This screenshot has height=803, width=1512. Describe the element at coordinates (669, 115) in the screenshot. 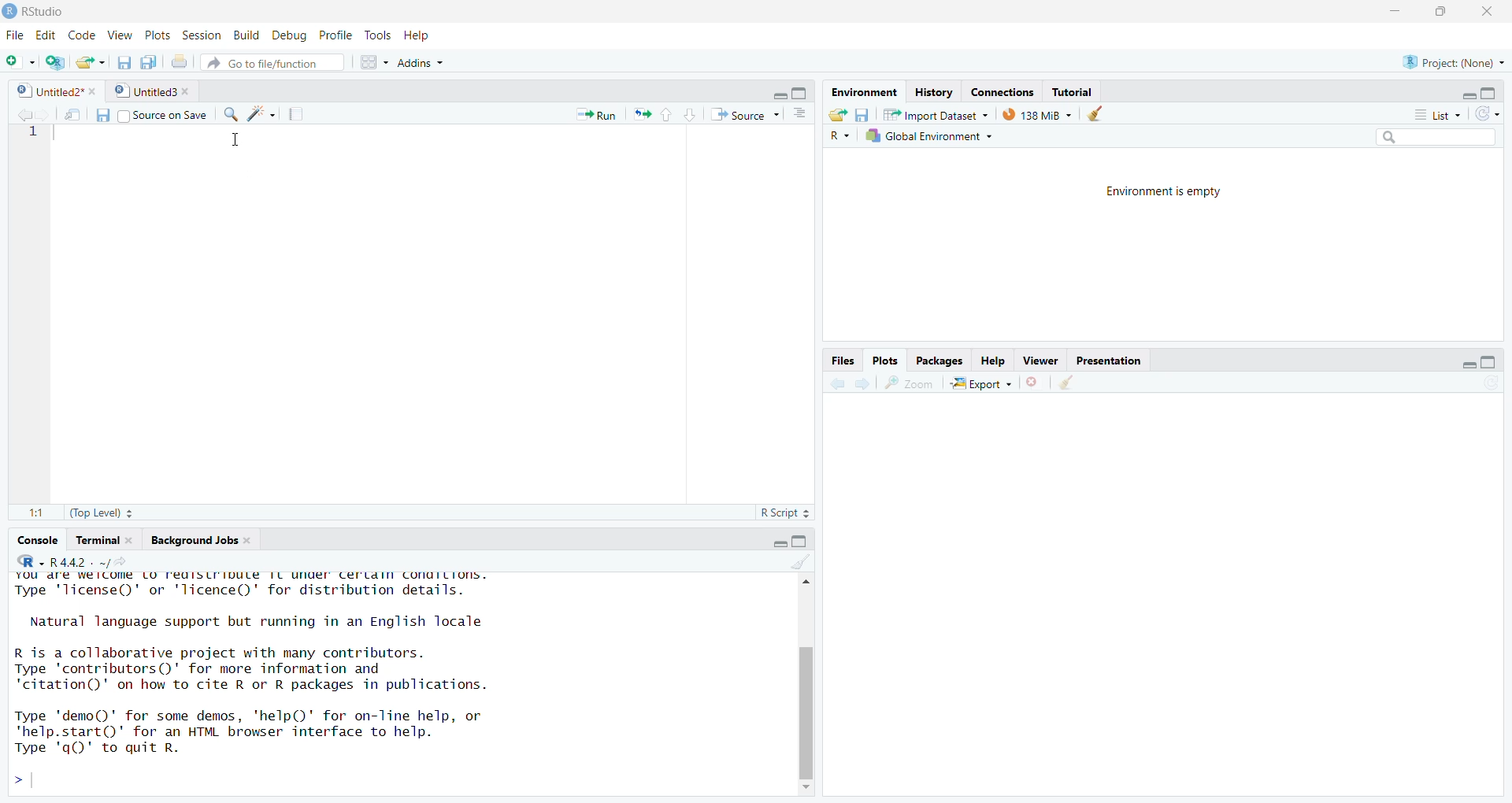

I see `up` at that location.